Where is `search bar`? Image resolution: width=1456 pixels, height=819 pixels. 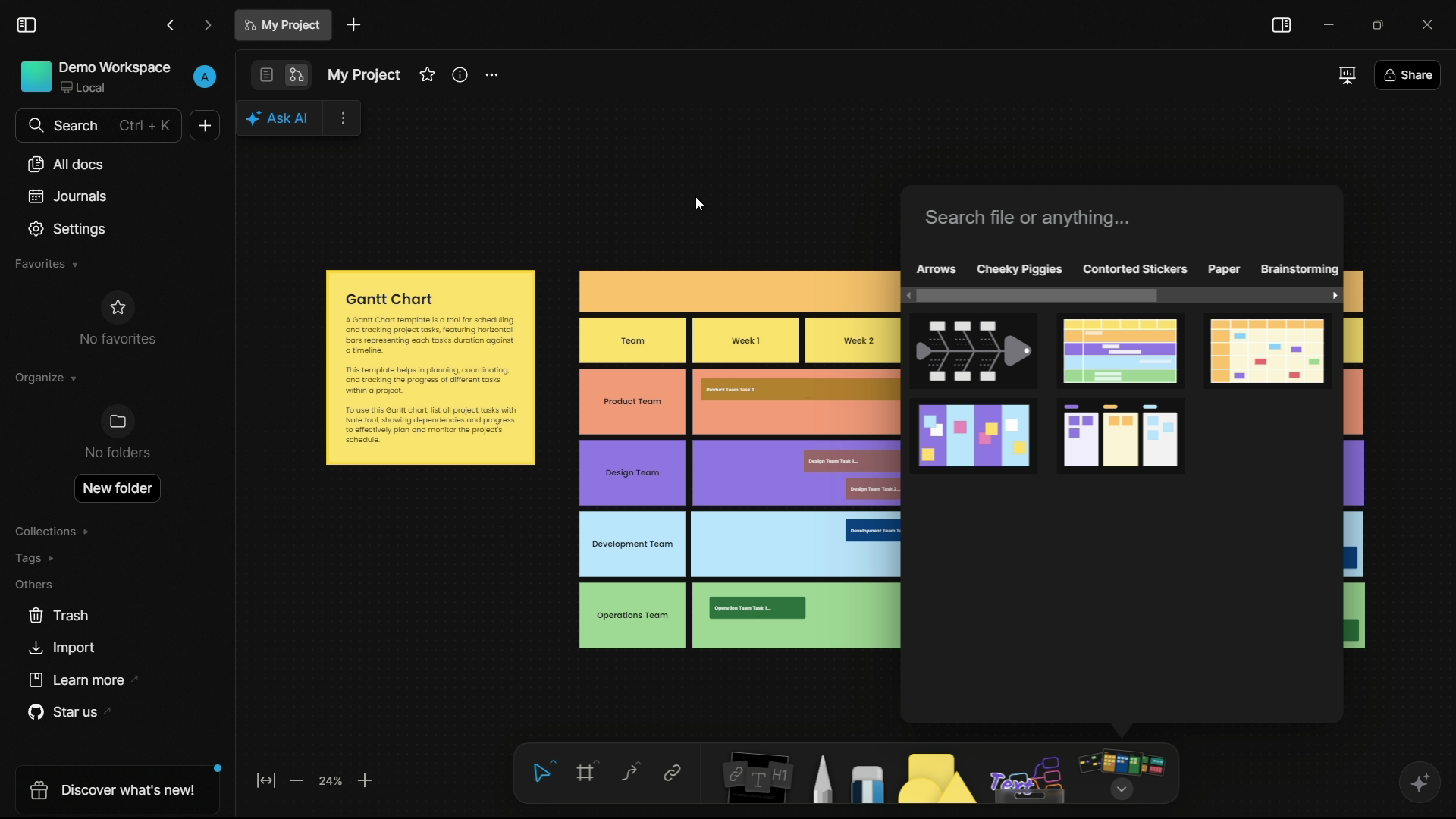 search bar is located at coordinates (99, 126).